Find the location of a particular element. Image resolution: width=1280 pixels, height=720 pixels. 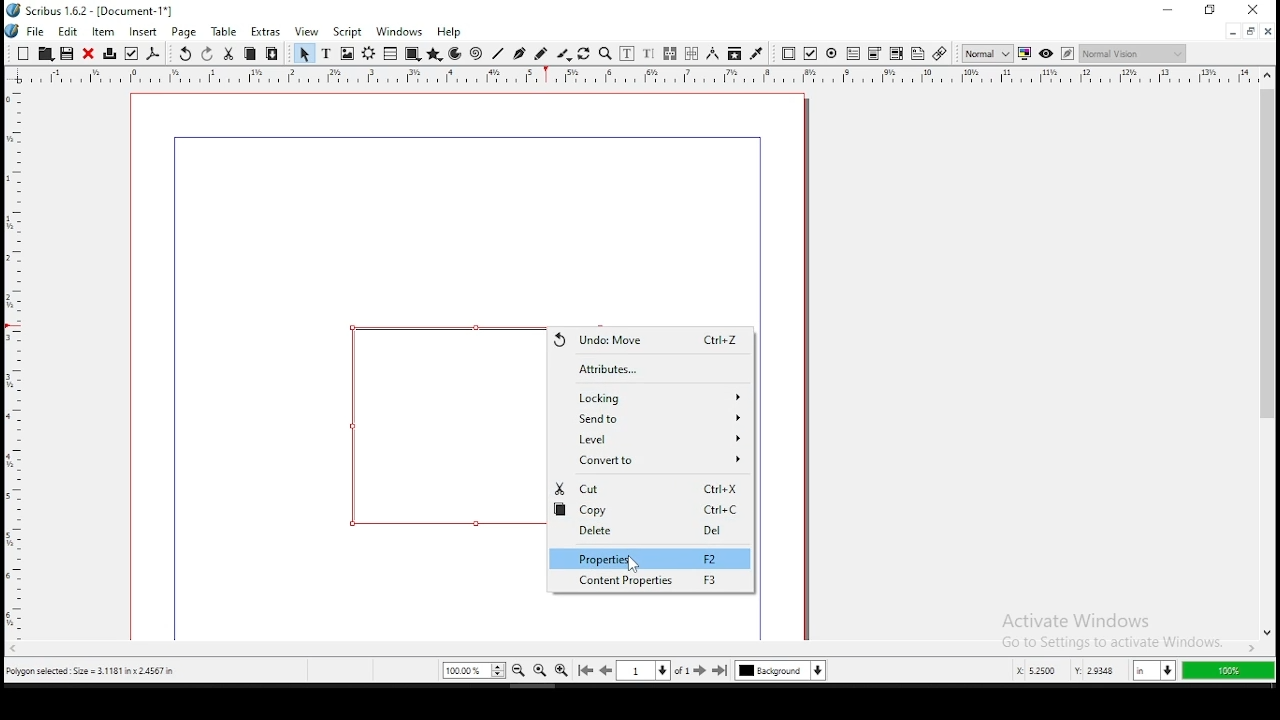

unlink text frames is located at coordinates (693, 54).